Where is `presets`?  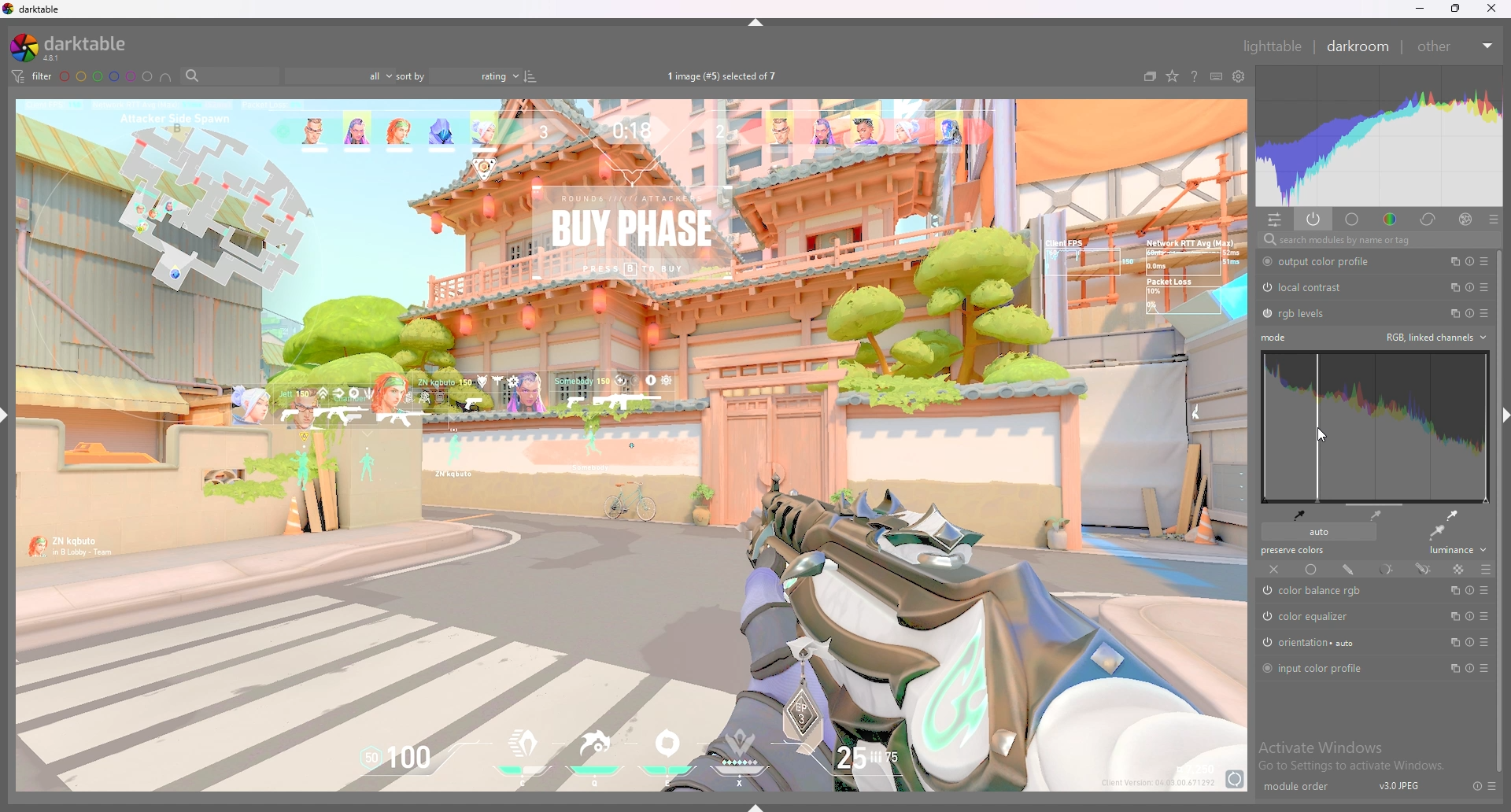 presets is located at coordinates (1484, 591).